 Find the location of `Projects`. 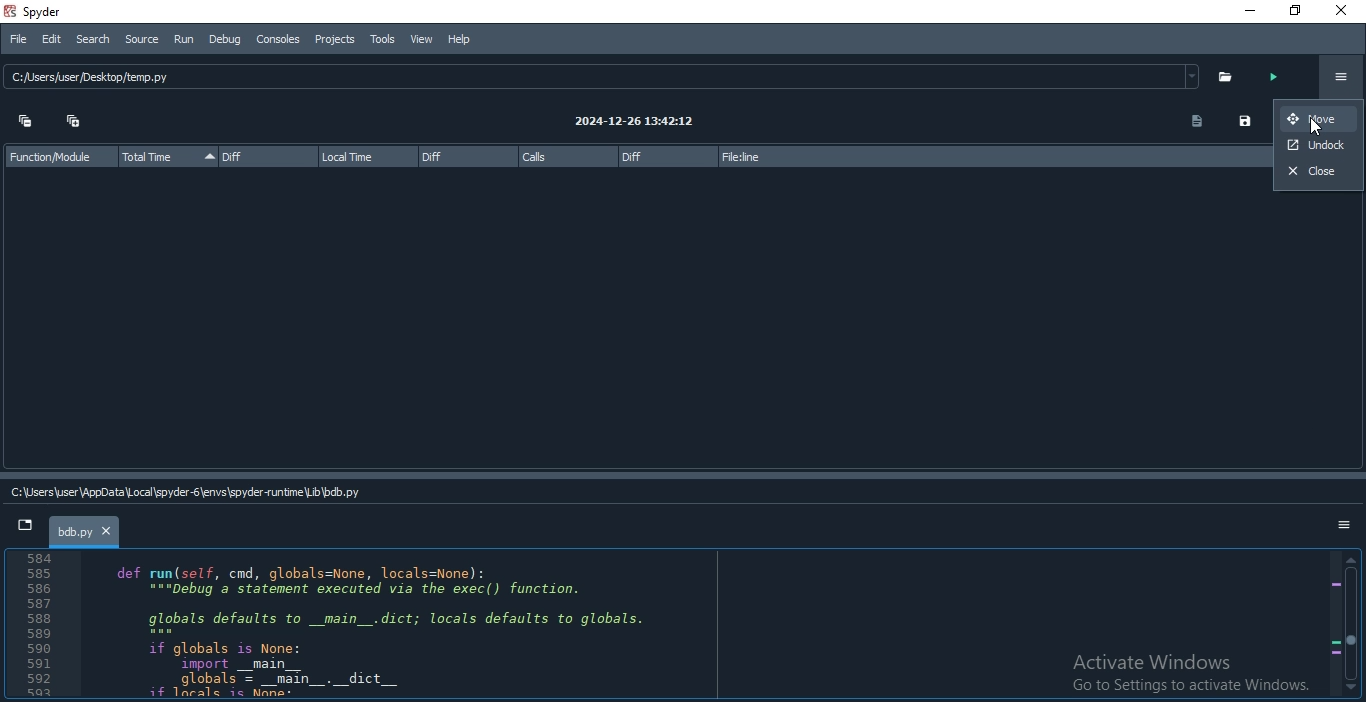

Projects is located at coordinates (335, 39).